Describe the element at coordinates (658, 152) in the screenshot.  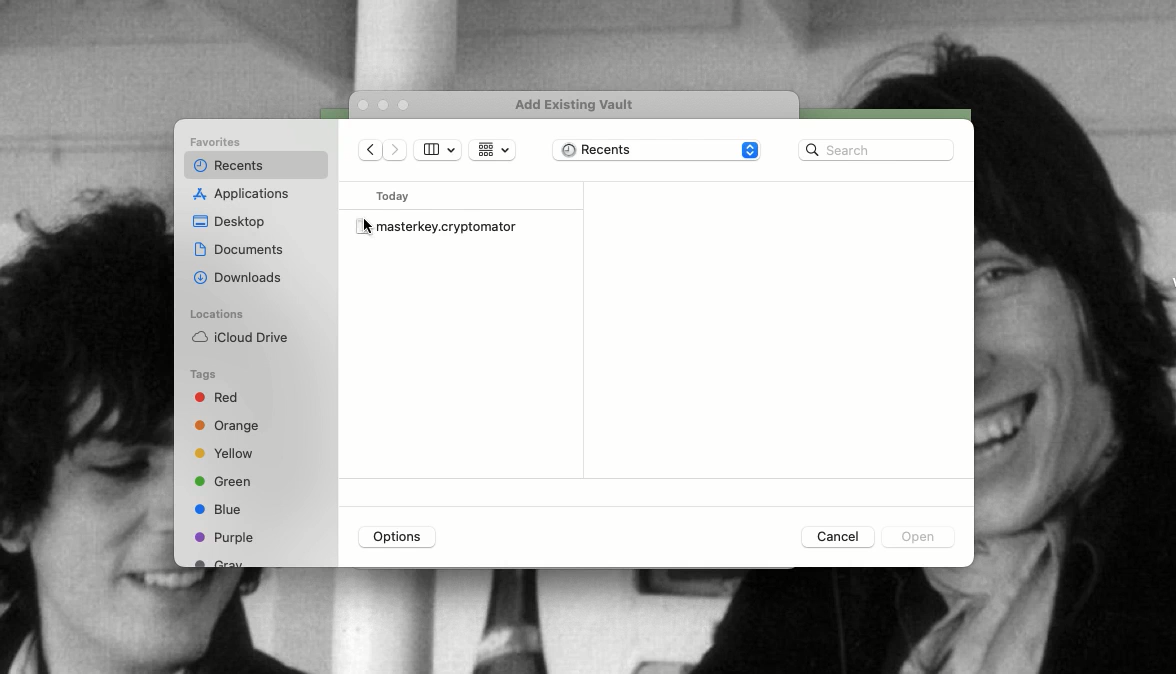
I see `Recents` at that location.